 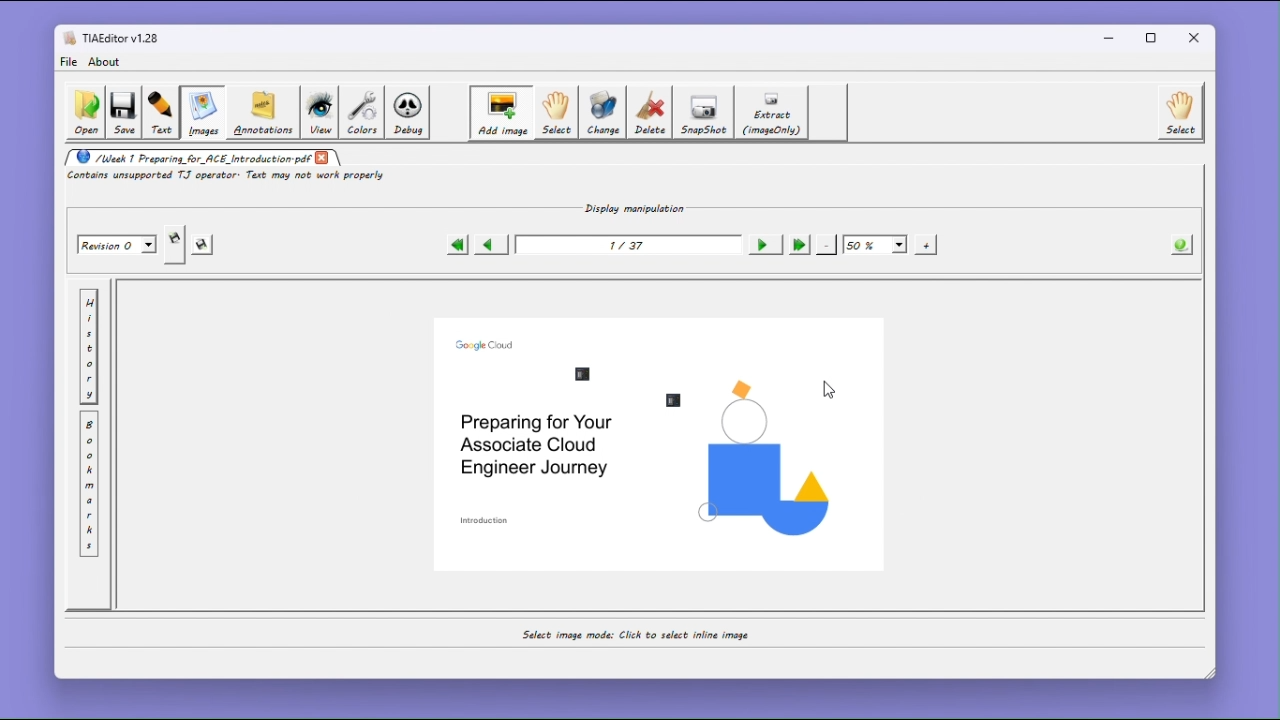 What do you see at coordinates (535, 445) in the screenshot?
I see `preparing for your associate cloud engineer journey` at bounding box center [535, 445].